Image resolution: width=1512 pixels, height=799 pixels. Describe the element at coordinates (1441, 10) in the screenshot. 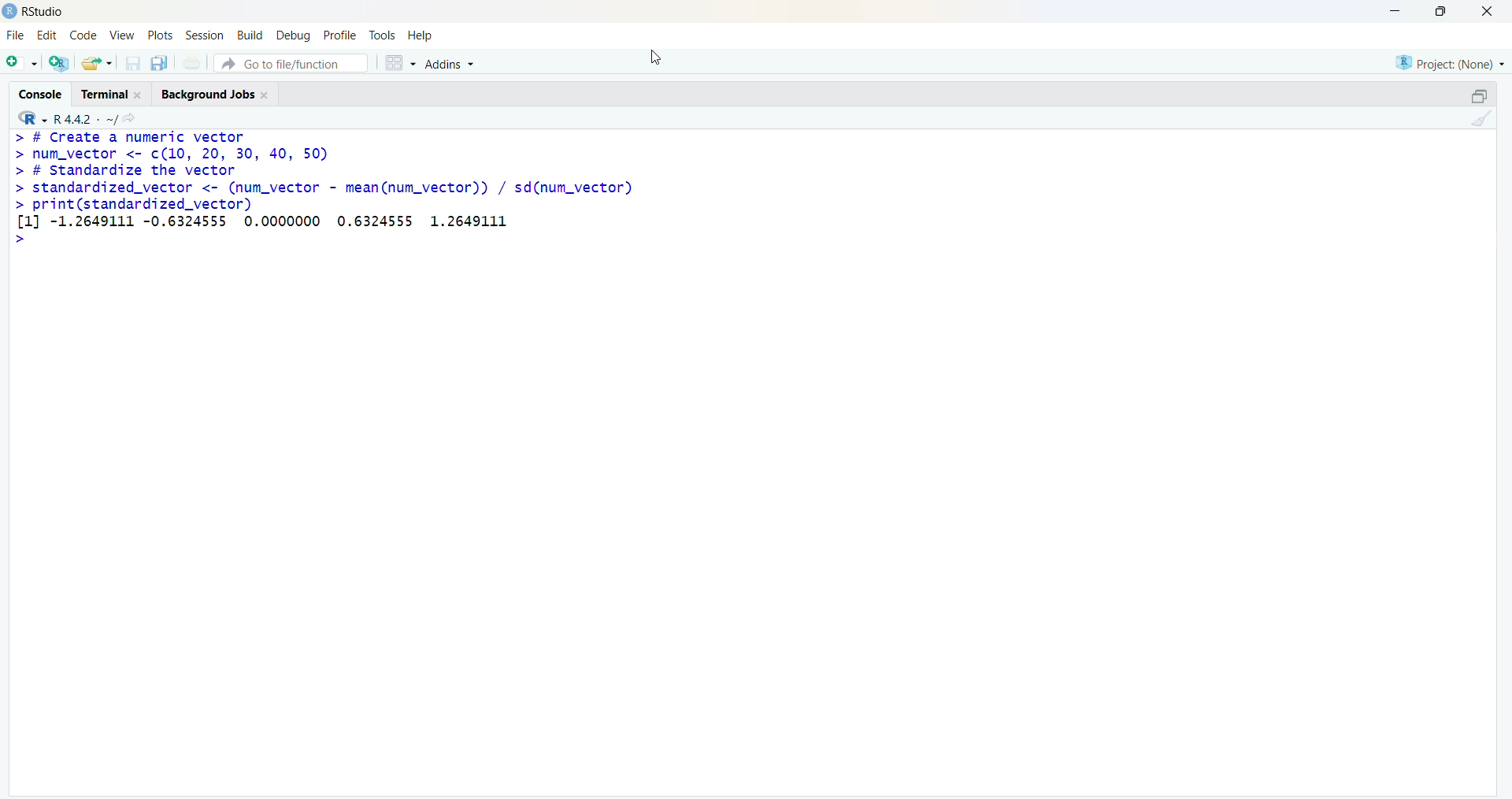

I see `maximise` at that location.